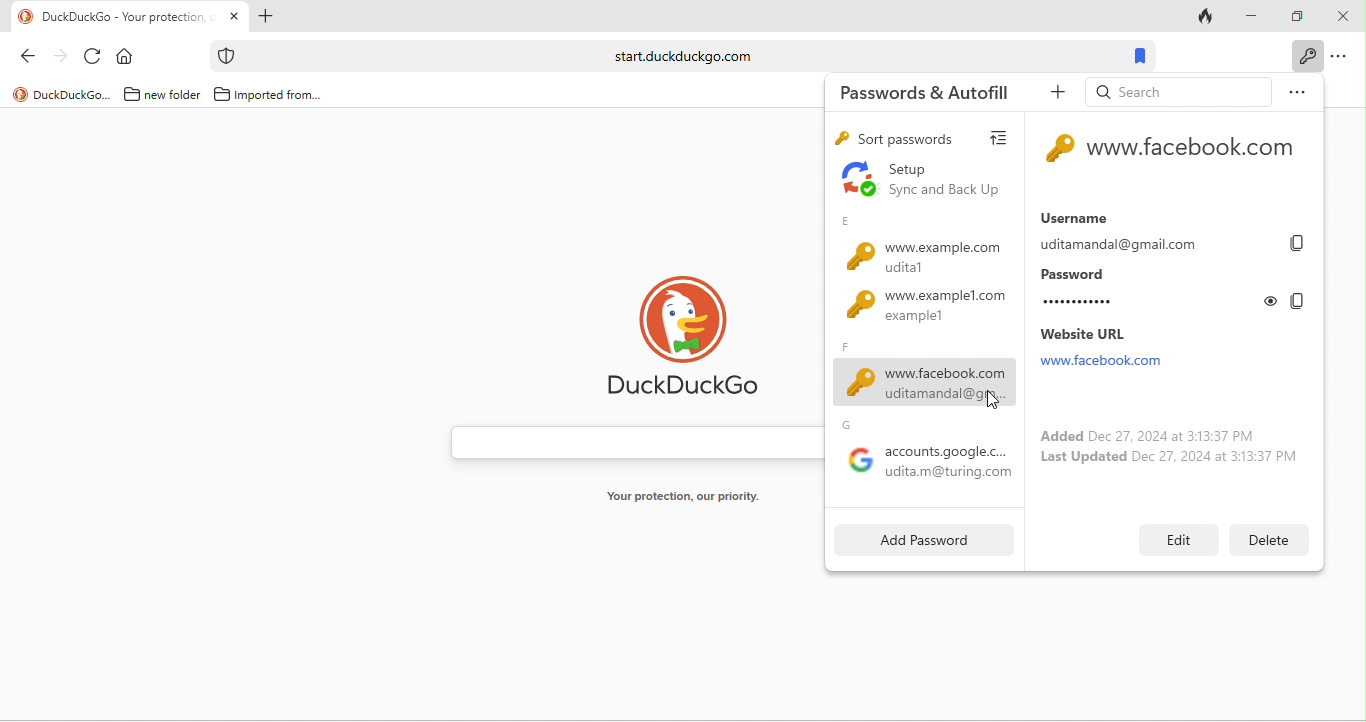  What do you see at coordinates (62, 60) in the screenshot?
I see `forward` at bounding box center [62, 60].